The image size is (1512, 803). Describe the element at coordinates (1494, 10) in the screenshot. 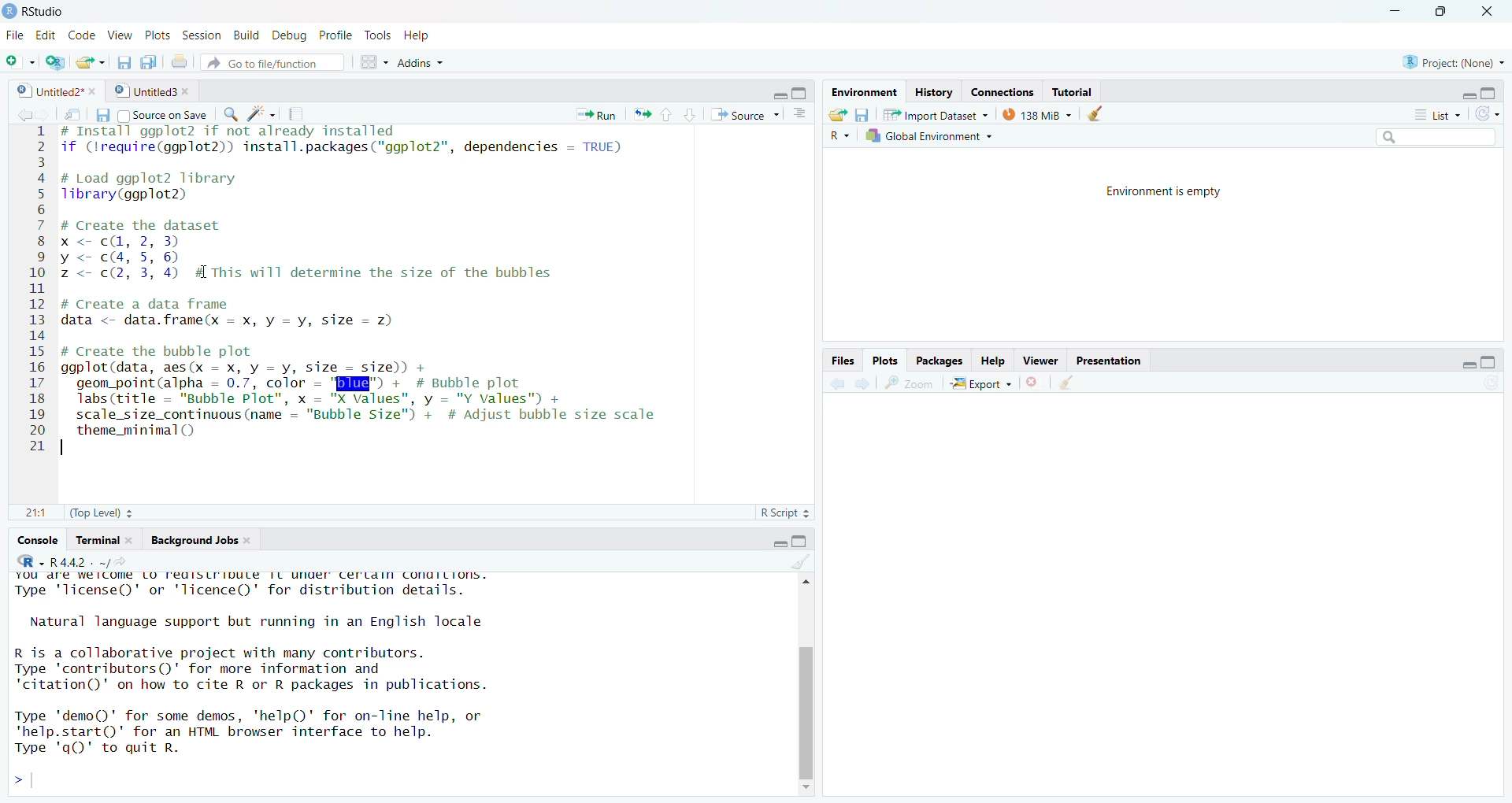

I see `Close` at that location.